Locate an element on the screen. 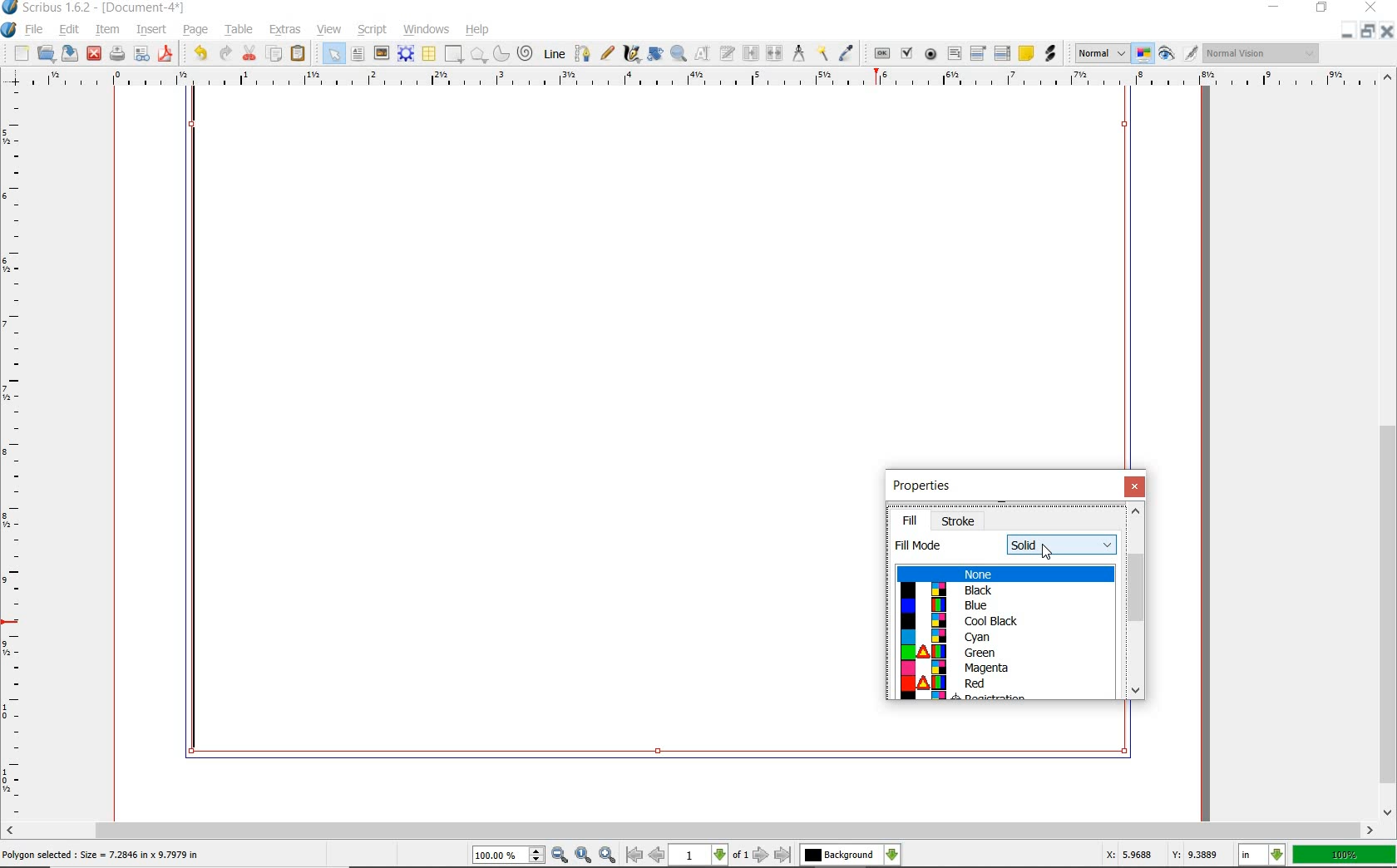 The image size is (1397, 868). copy item properties is located at coordinates (822, 53).